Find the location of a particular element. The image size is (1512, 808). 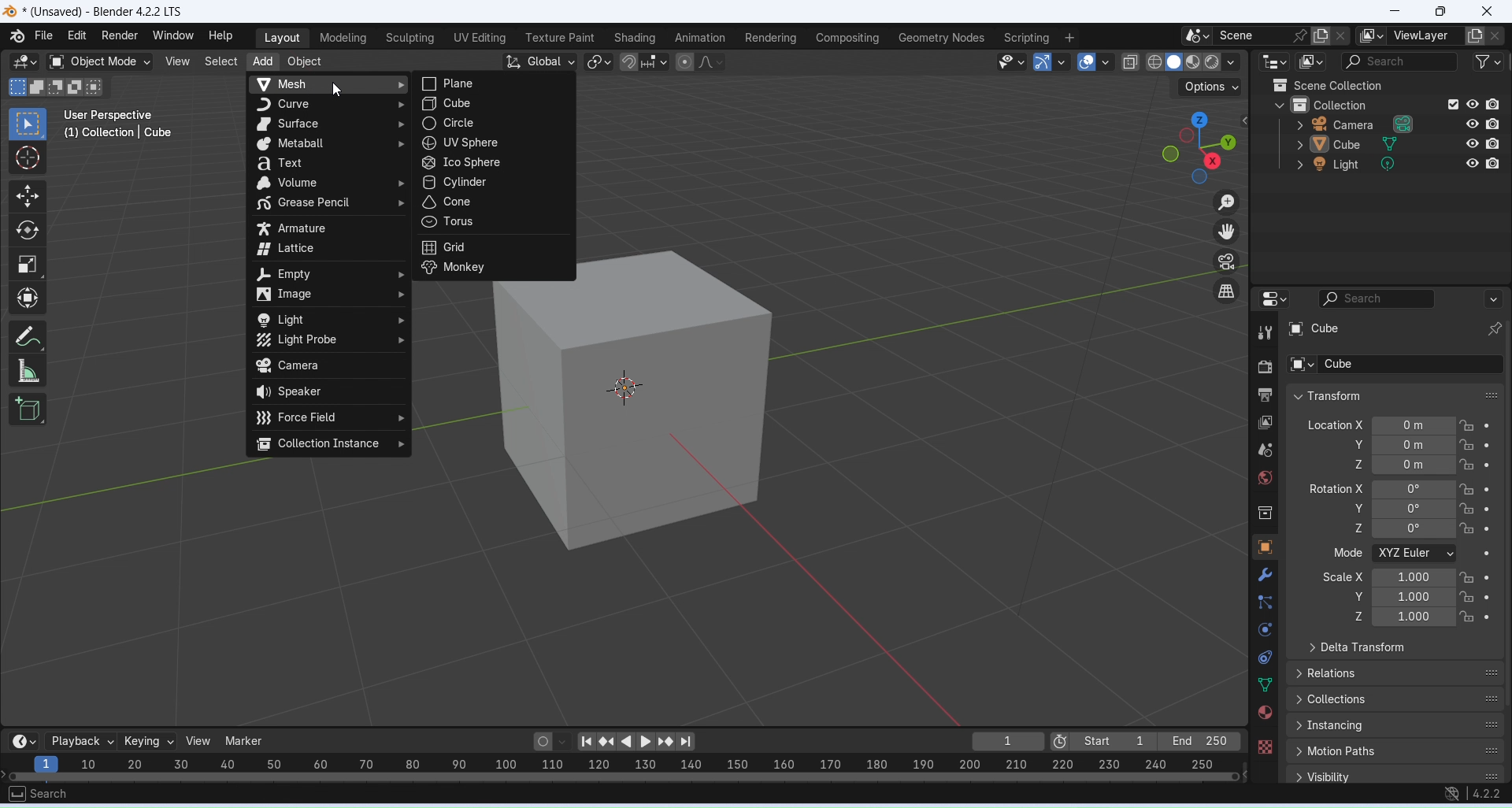

Measure is located at coordinates (29, 372).